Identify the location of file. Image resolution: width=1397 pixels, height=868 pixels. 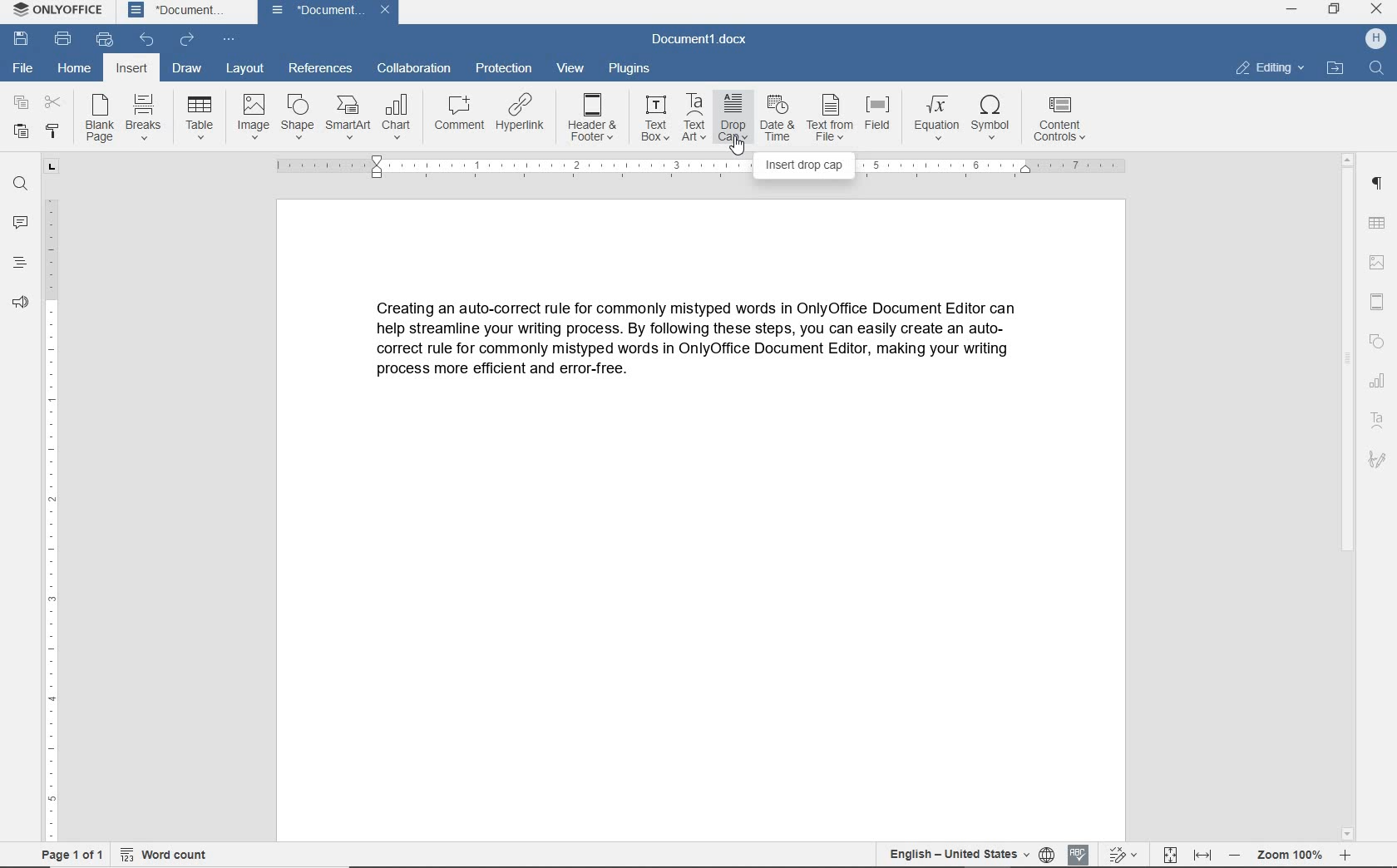
(22, 68).